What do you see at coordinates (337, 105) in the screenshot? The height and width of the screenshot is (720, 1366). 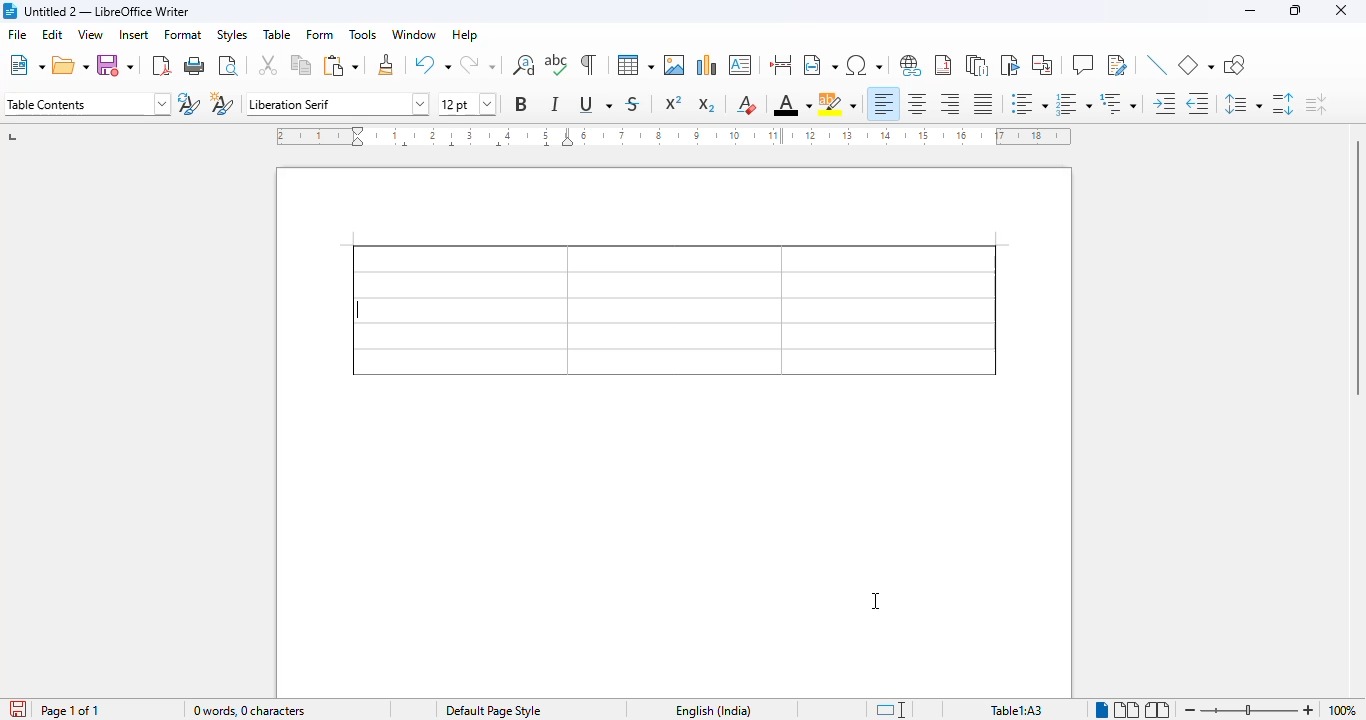 I see `font name` at bounding box center [337, 105].